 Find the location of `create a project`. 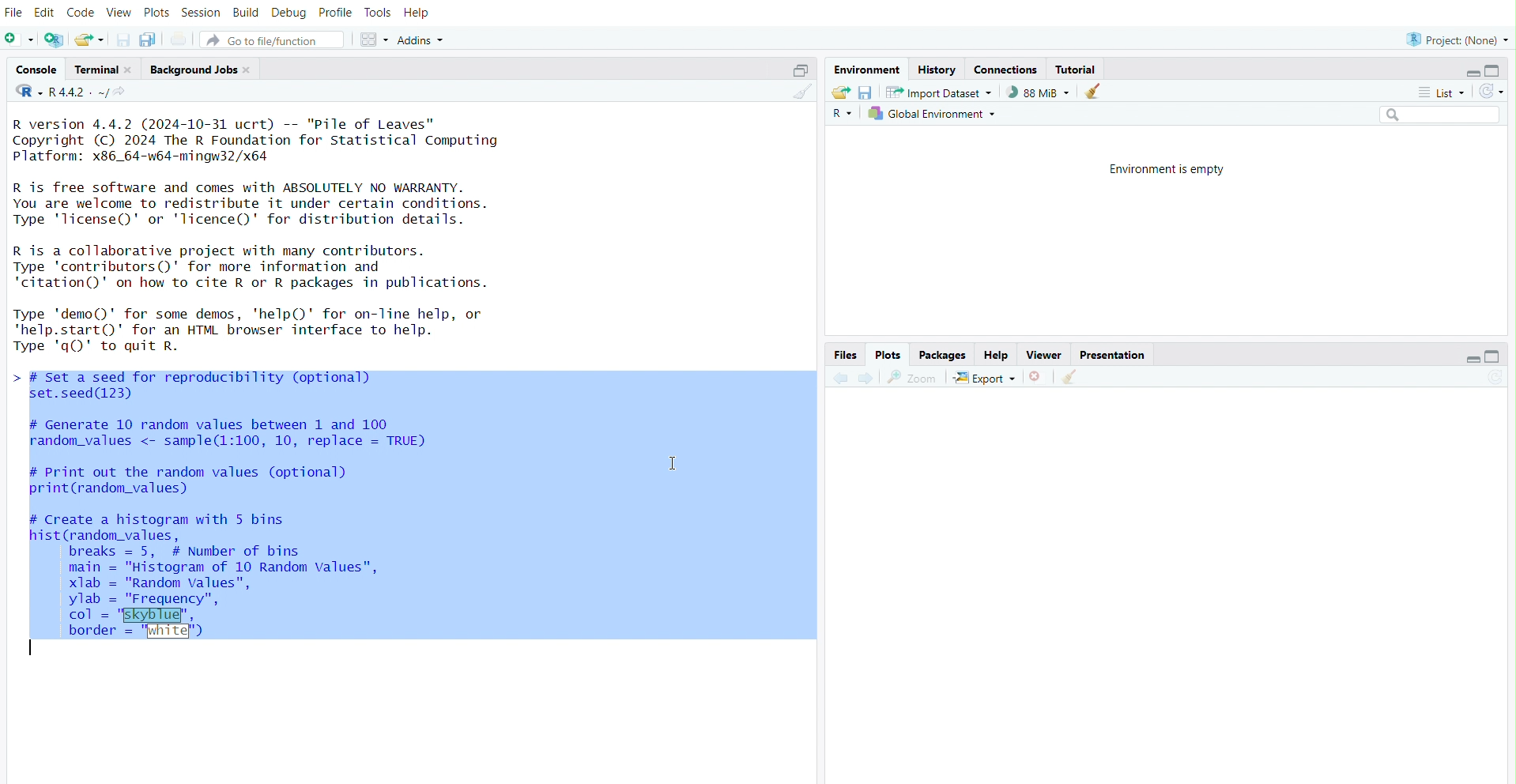

create a project is located at coordinates (54, 40).